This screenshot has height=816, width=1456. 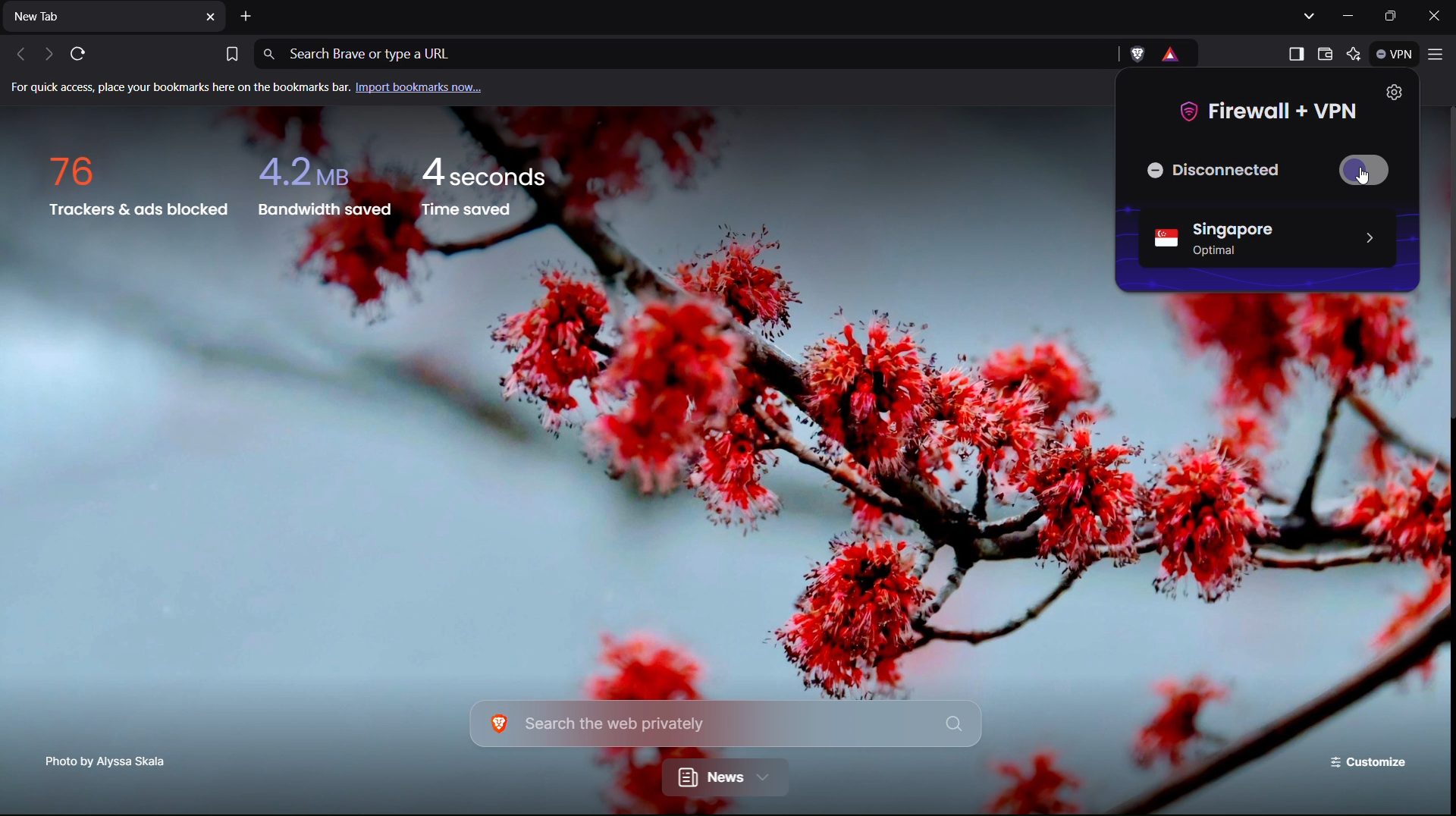 I want to click on VPN, so click(x=1390, y=57).